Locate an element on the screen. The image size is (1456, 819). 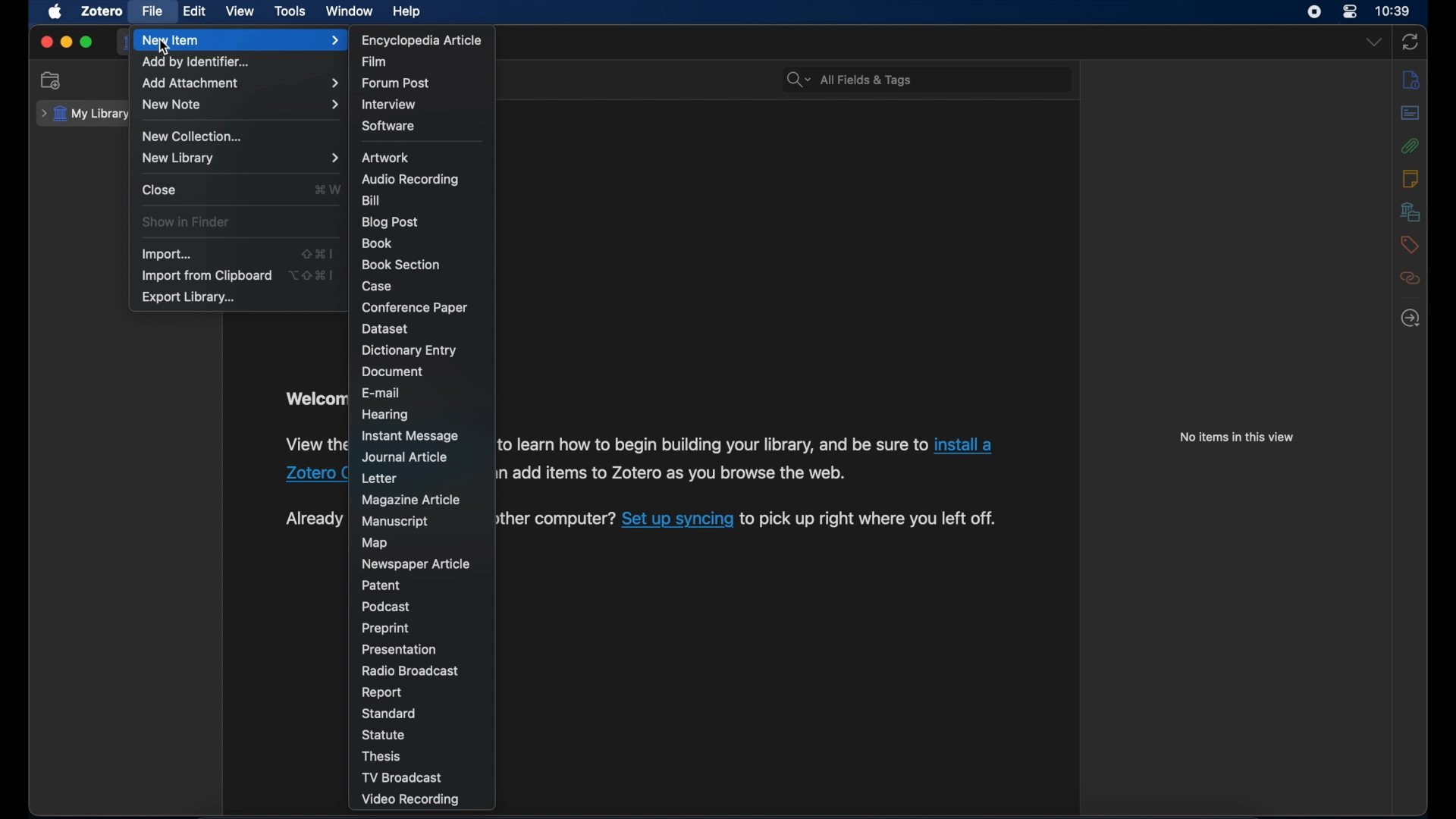
bill is located at coordinates (372, 200).